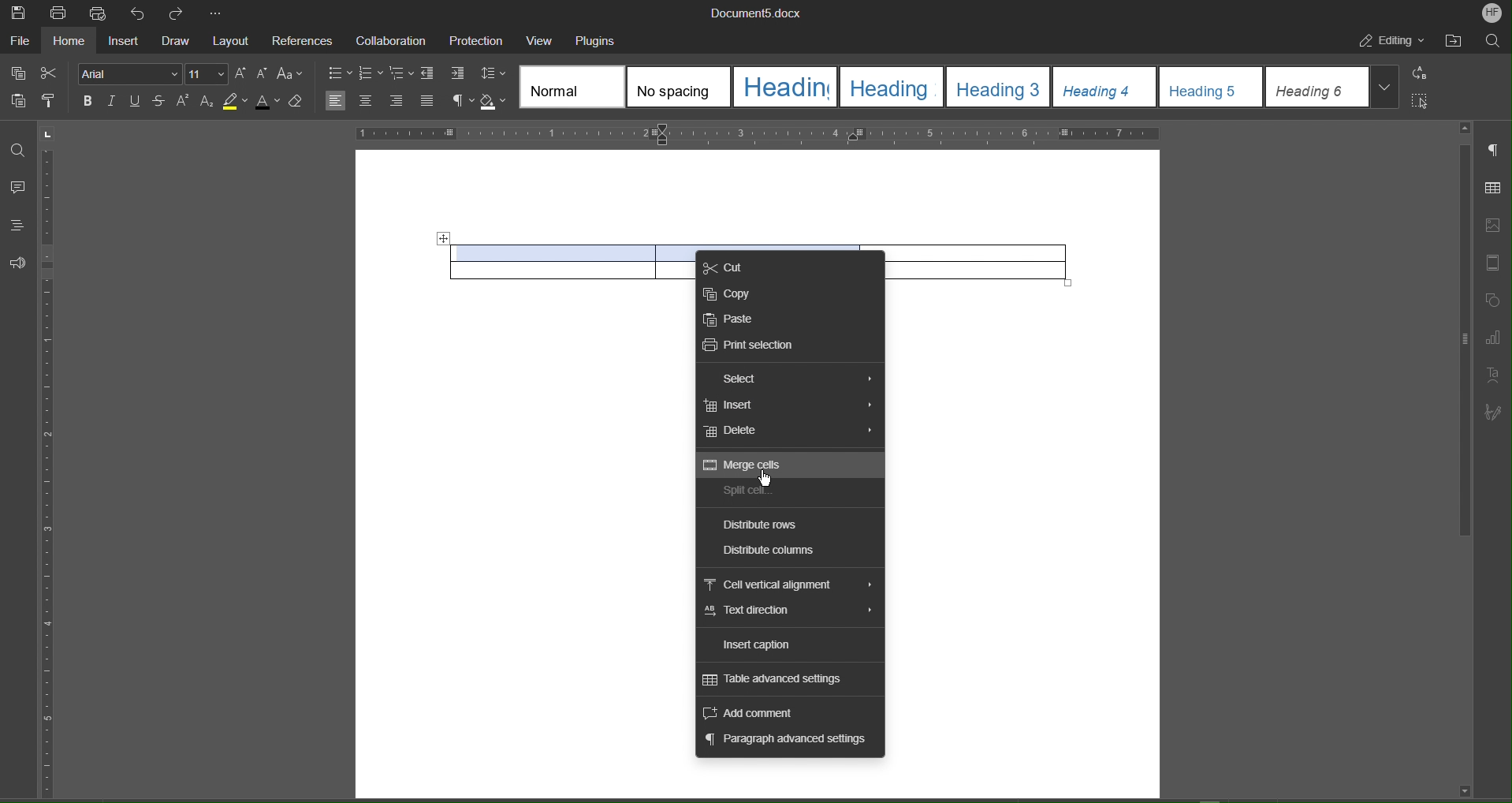 Image resolution: width=1512 pixels, height=803 pixels. I want to click on Paragraph advanced settings, so click(794, 744).